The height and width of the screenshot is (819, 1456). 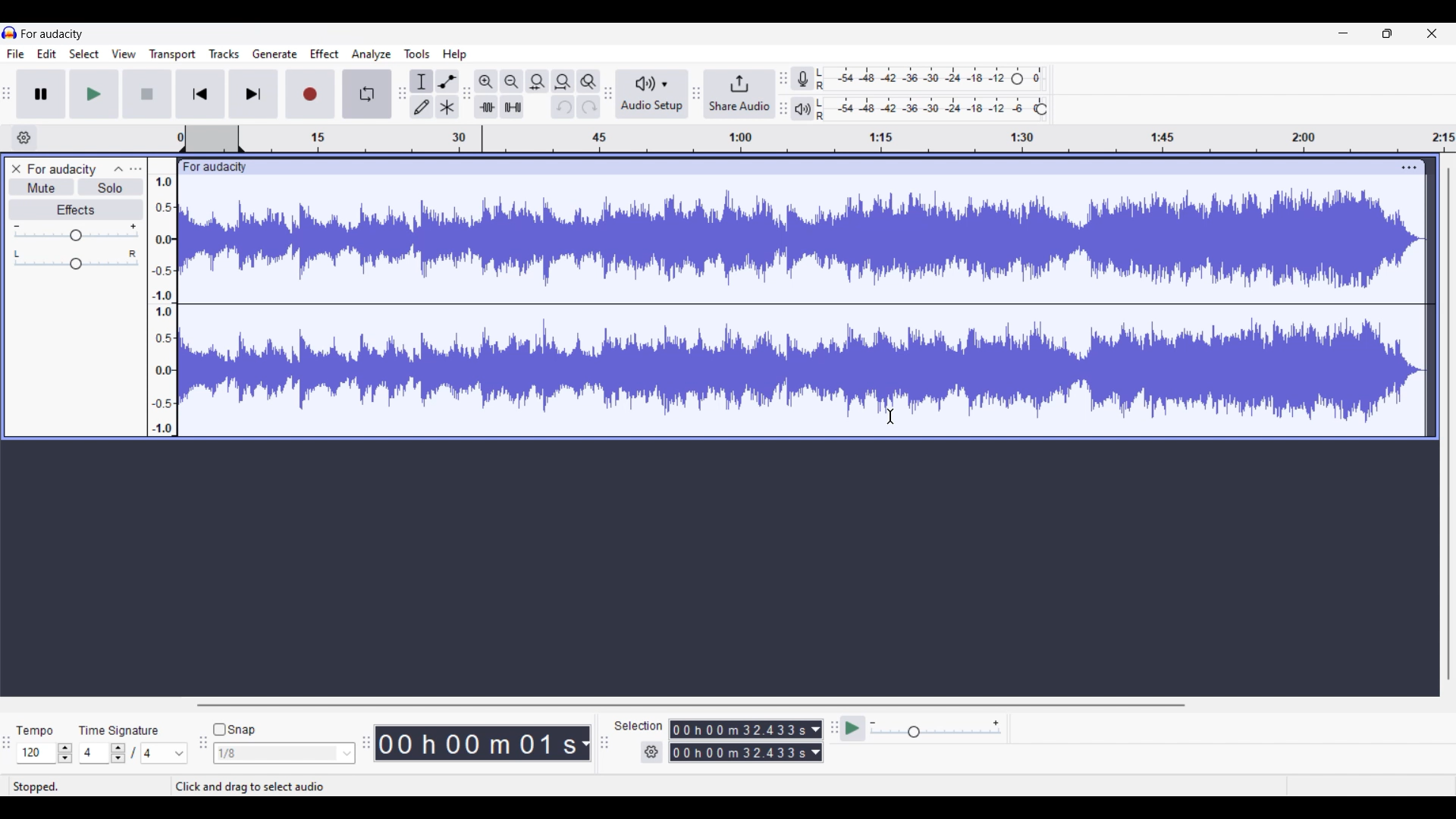 I want to click on View menu, so click(x=124, y=54).